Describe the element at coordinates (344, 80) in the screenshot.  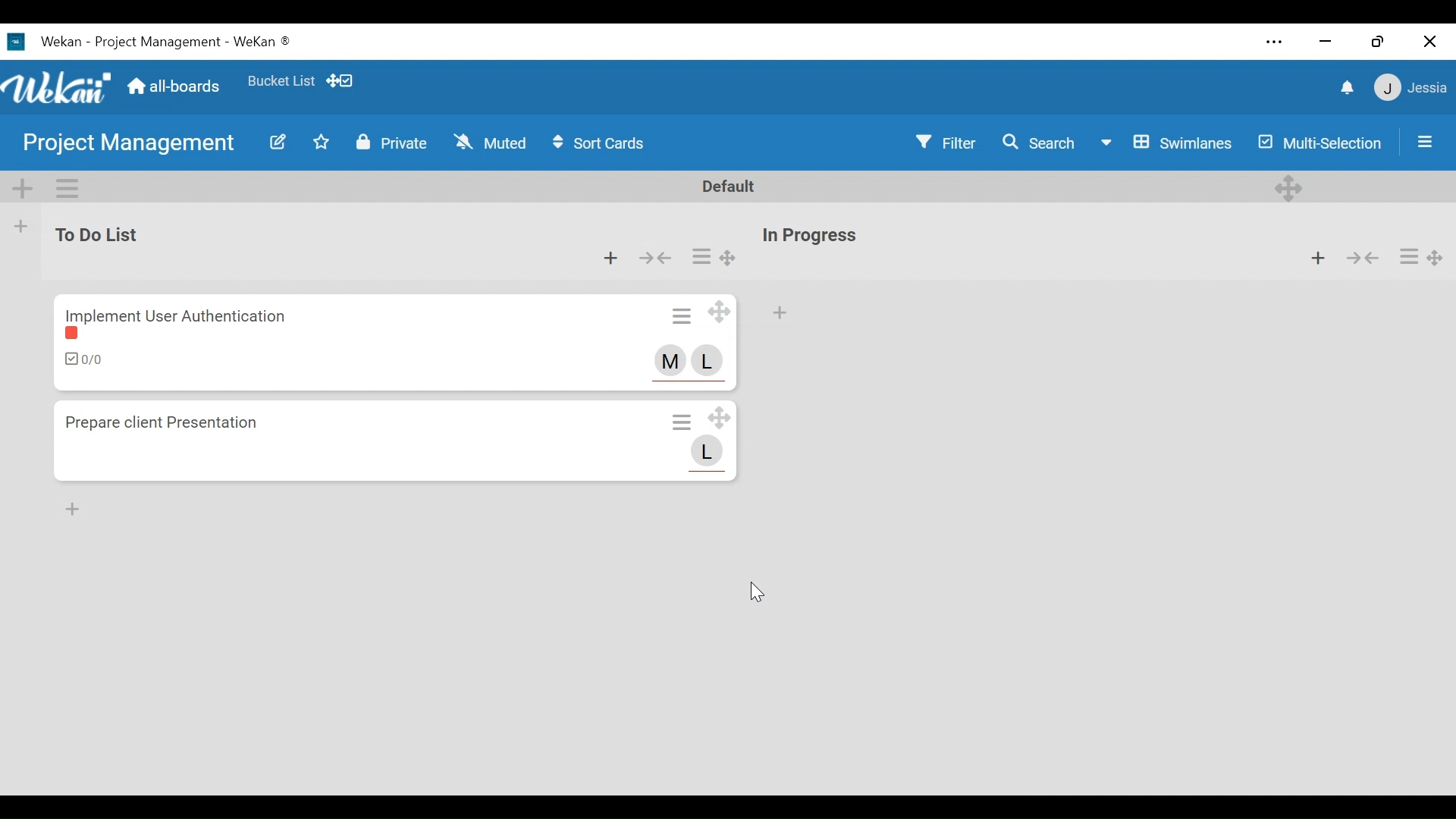
I see `Show desktop drag handles` at that location.